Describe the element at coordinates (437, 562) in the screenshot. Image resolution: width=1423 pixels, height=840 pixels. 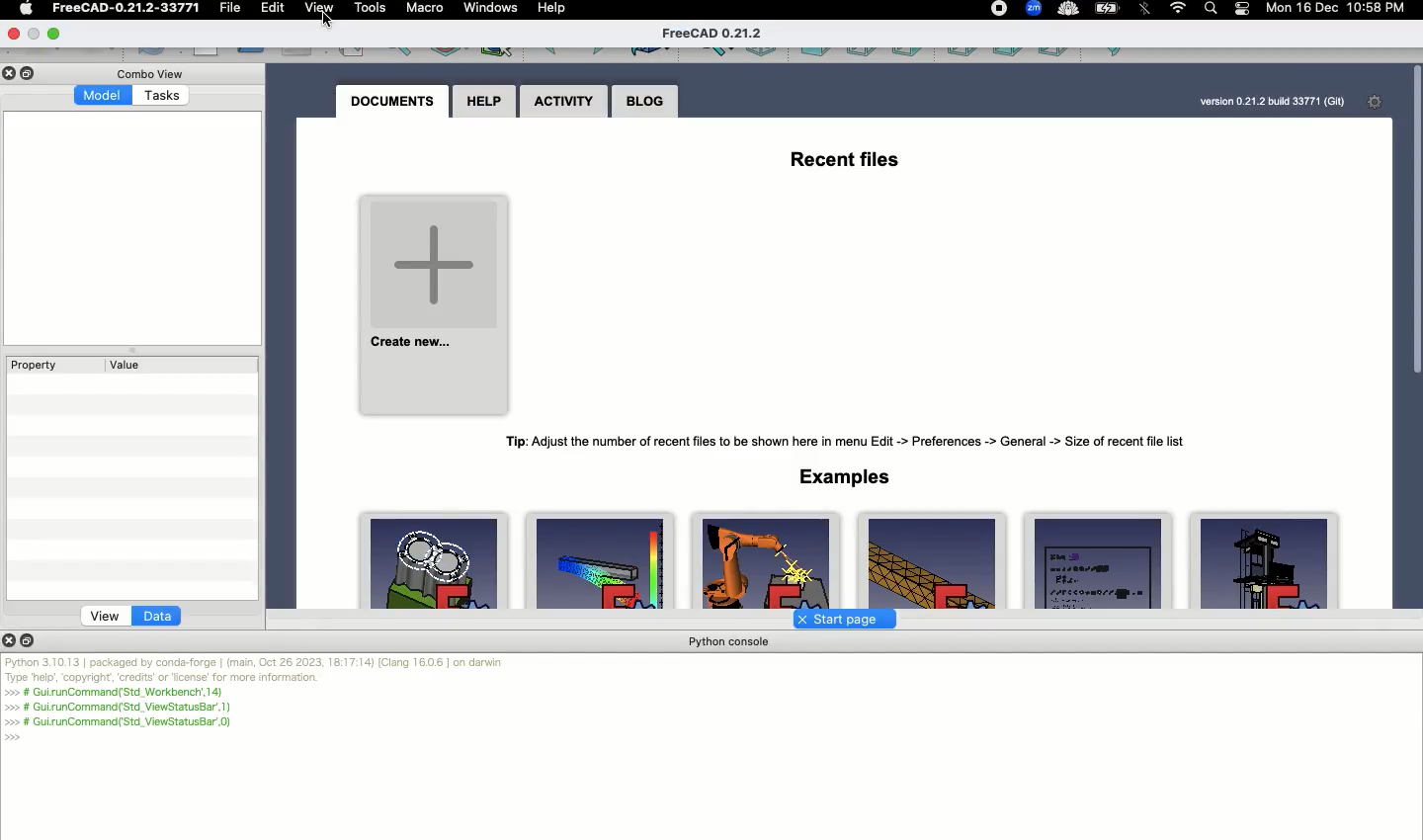
I see `EngineBlock.FCStd Werner Mayer 78Kb` at that location.